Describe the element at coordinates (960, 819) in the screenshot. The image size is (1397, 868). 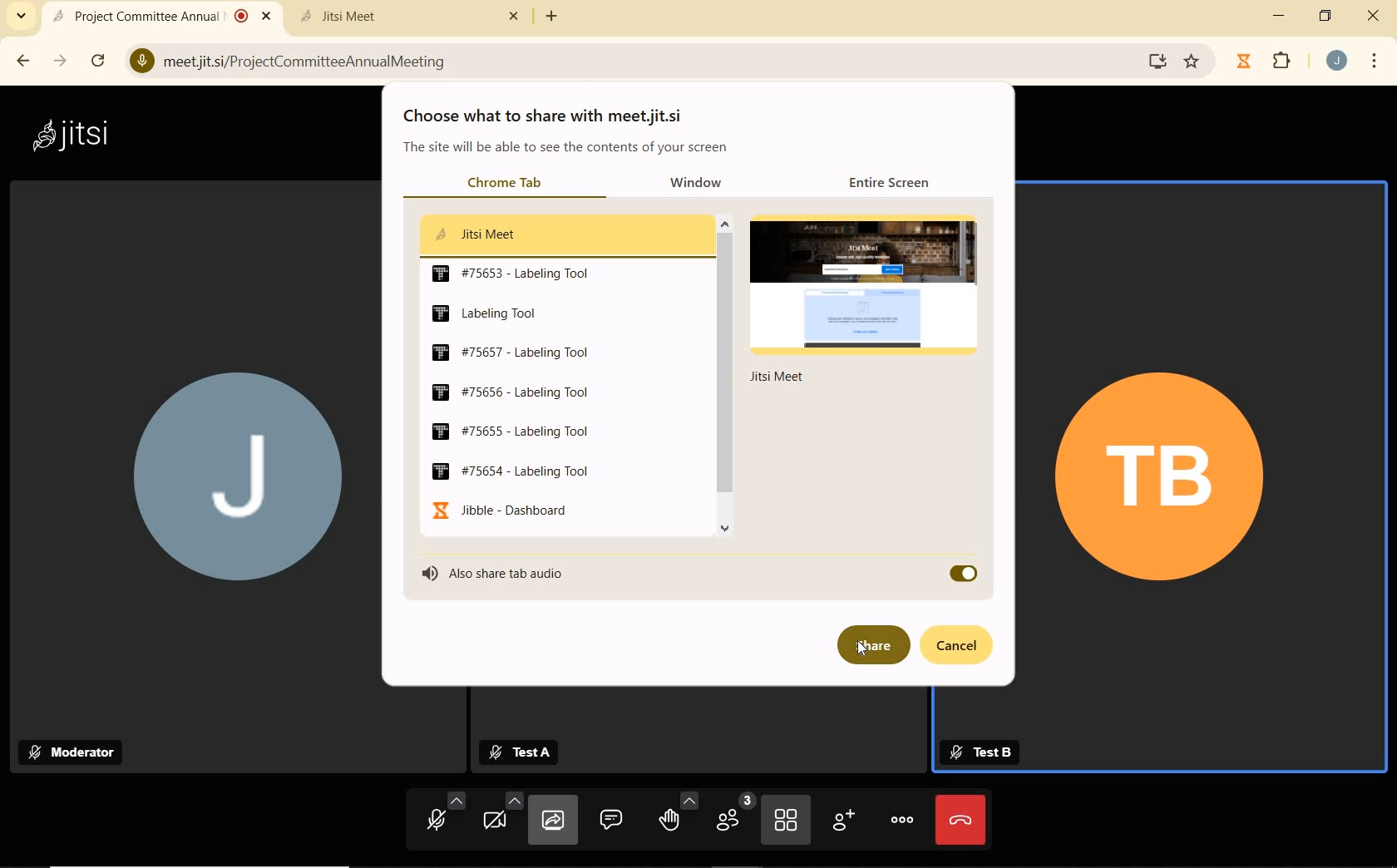
I see `LEAVE MEETING` at that location.